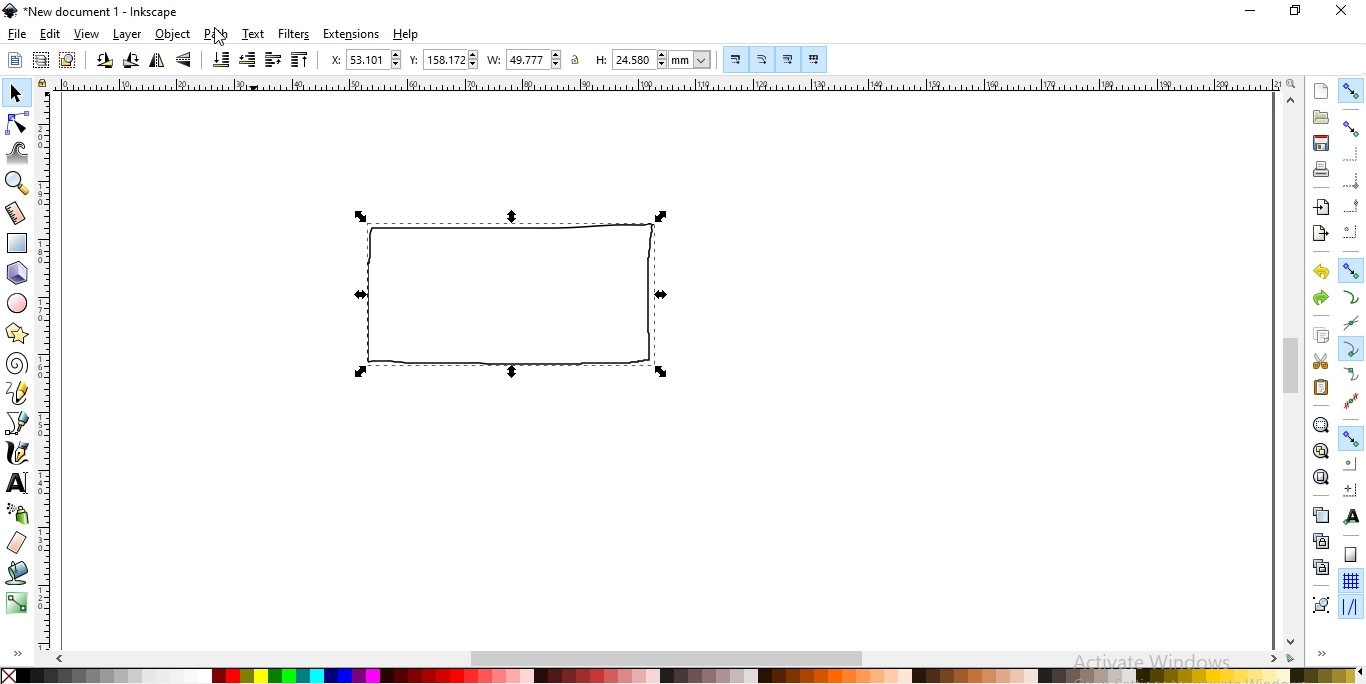  Describe the element at coordinates (14, 62) in the screenshot. I see `select all objects or all nodes` at that location.